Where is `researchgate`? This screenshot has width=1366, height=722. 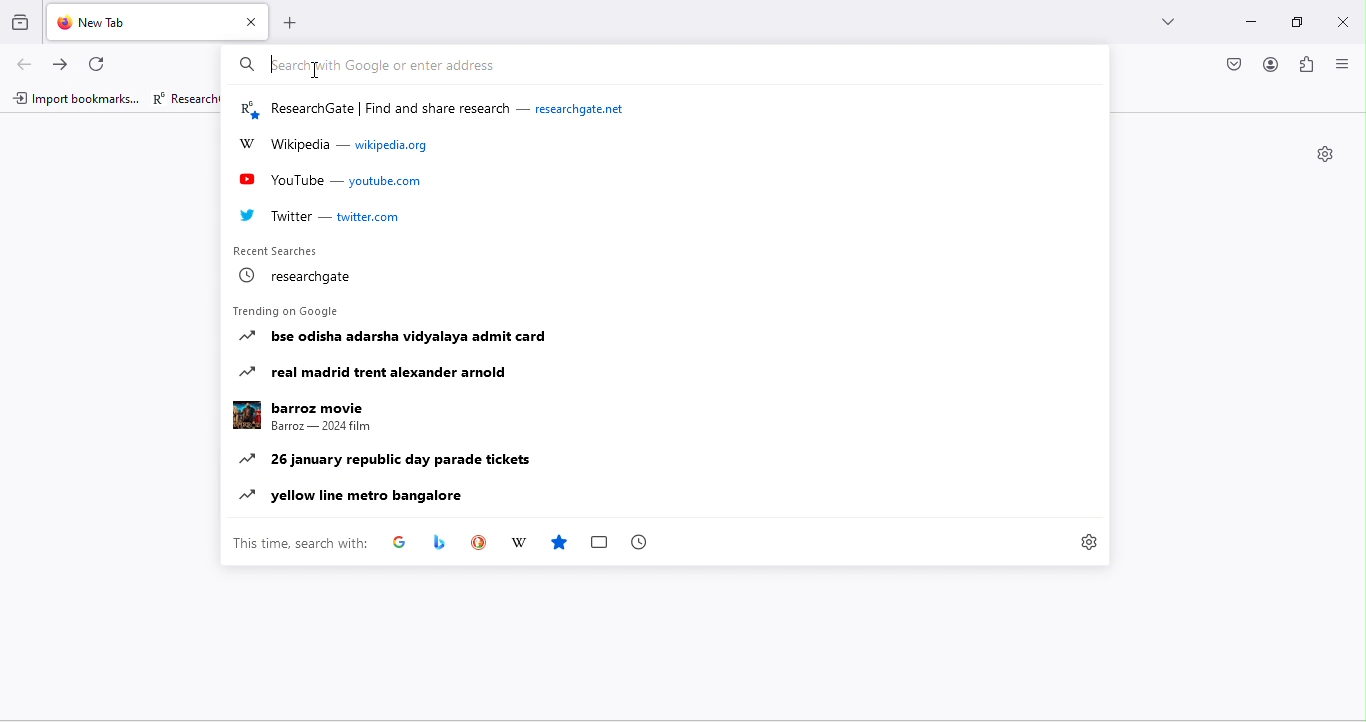 researchgate is located at coordinates (184, 99).